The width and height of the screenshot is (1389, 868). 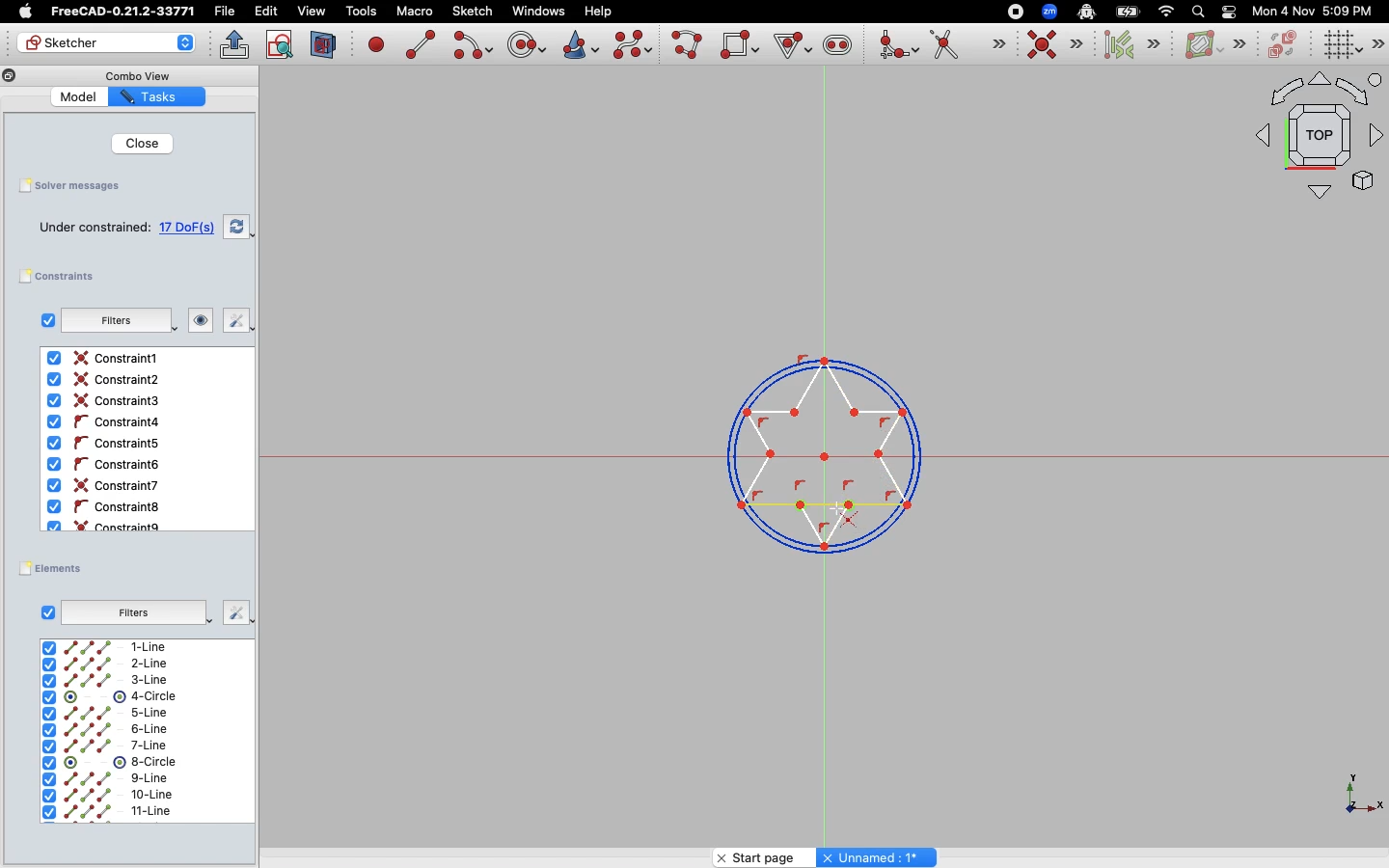 I want to click on Solver messages, so click(x=71, y=187).